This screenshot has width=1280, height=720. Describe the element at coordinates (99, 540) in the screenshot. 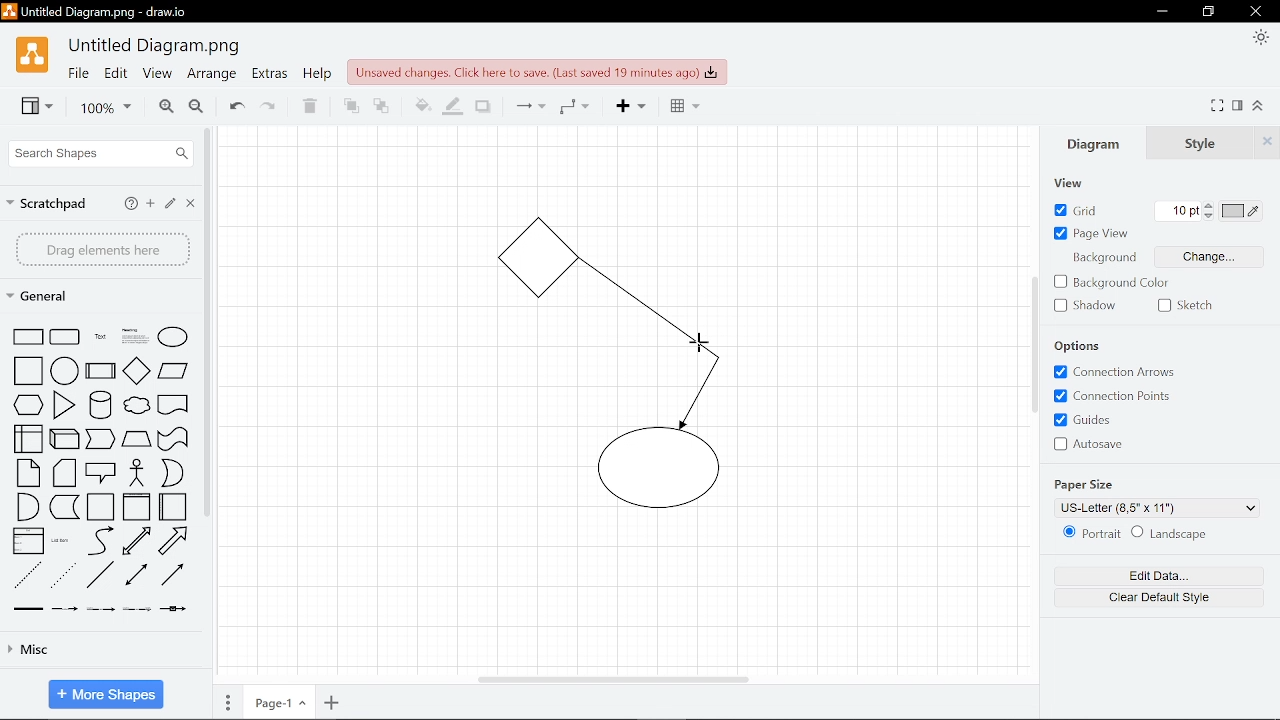

I see `shape` at that location.